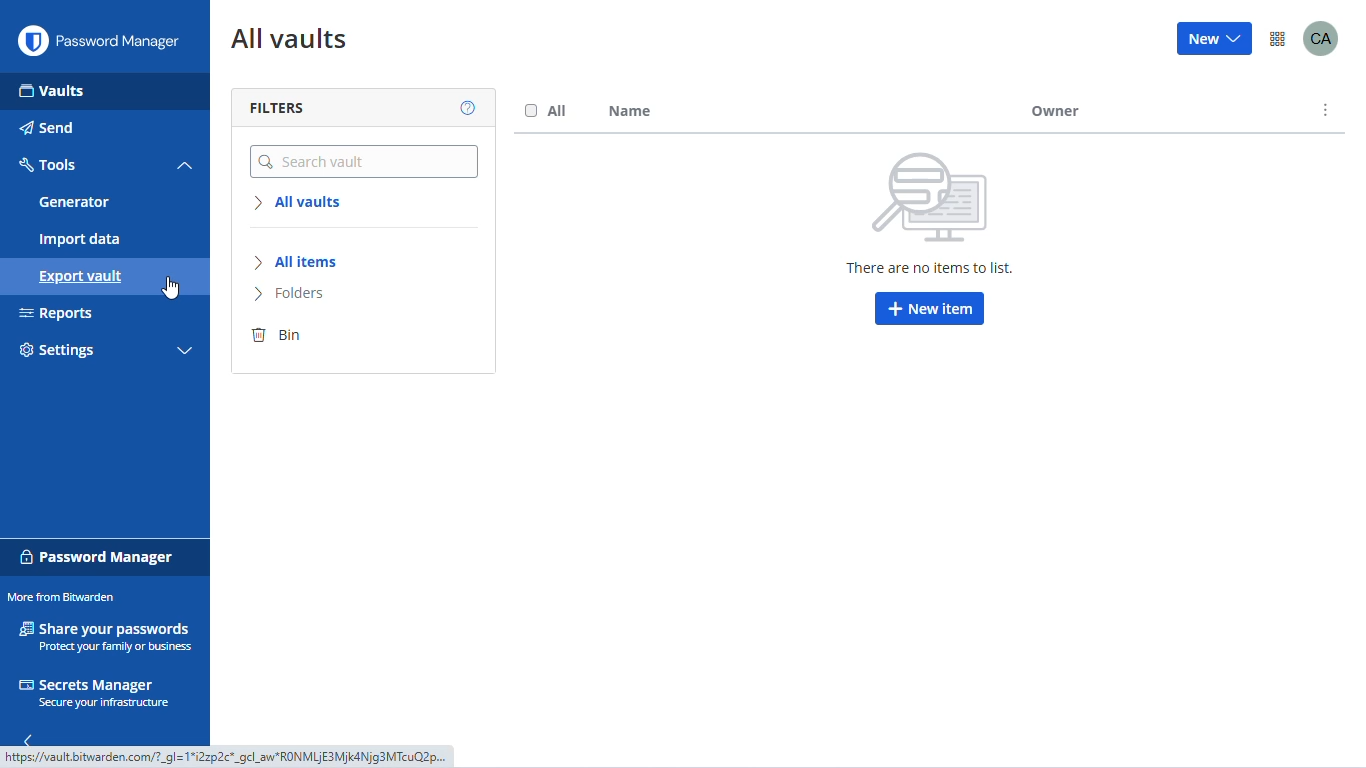 This screenshot has width=1366, height=768. What do you see at coordinates (365, 156) in the screenshot?
I see `search vault` at bounding box center [365, 156].